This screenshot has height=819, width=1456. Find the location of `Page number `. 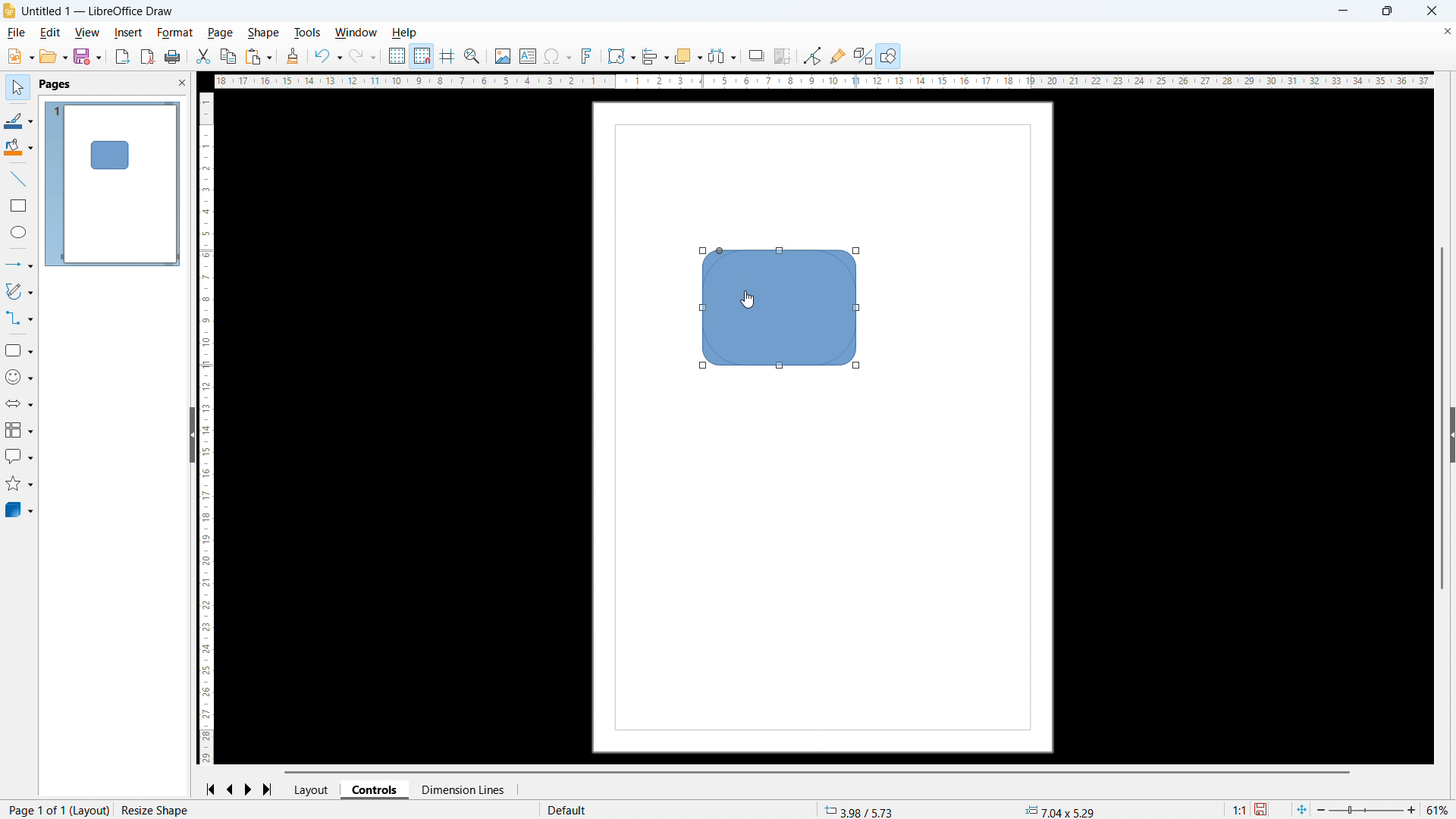

Page number  is located at coordinates (56, 810).